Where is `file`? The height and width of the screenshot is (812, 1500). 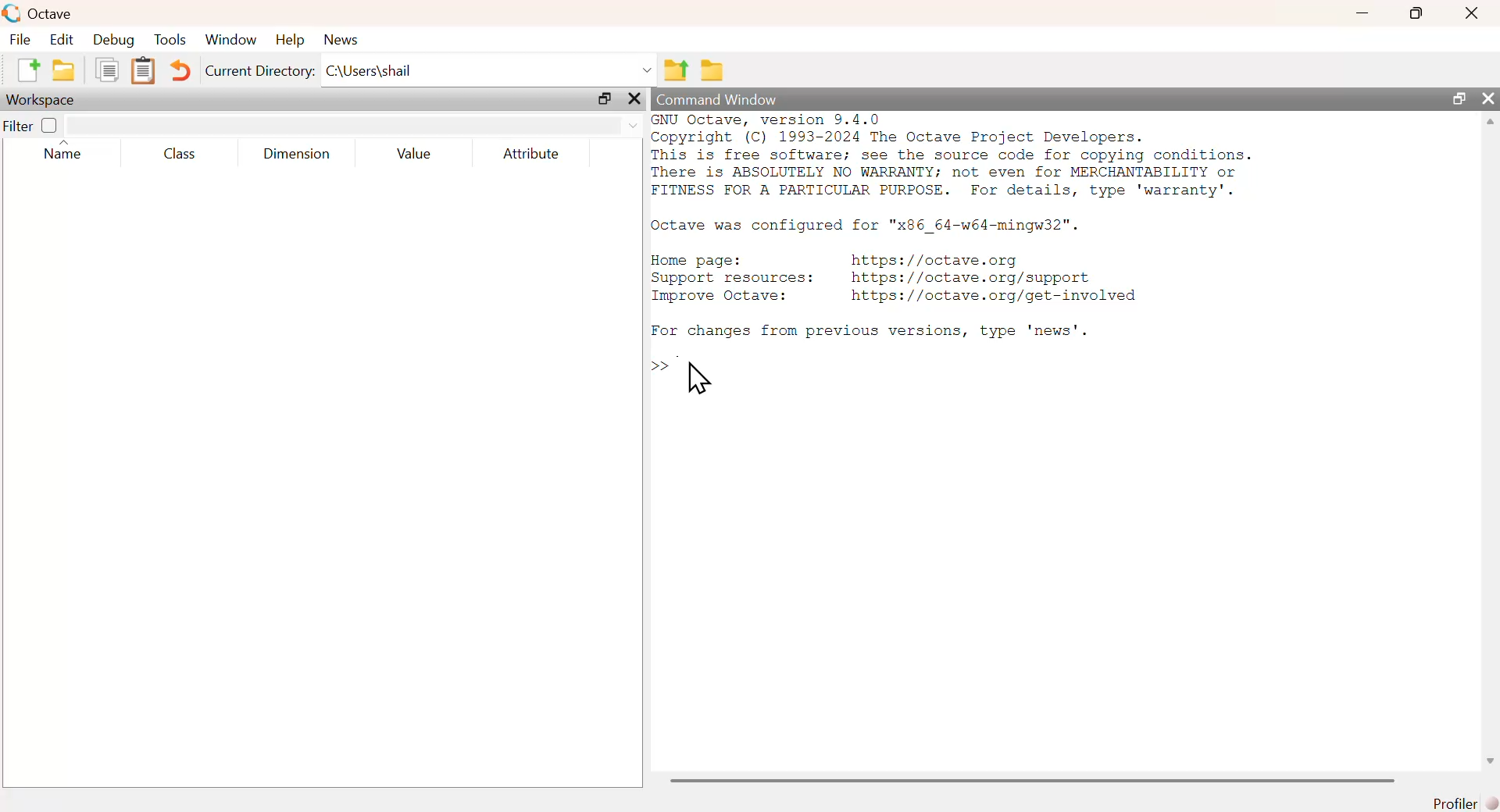 file is located at coordinates (21, 40).